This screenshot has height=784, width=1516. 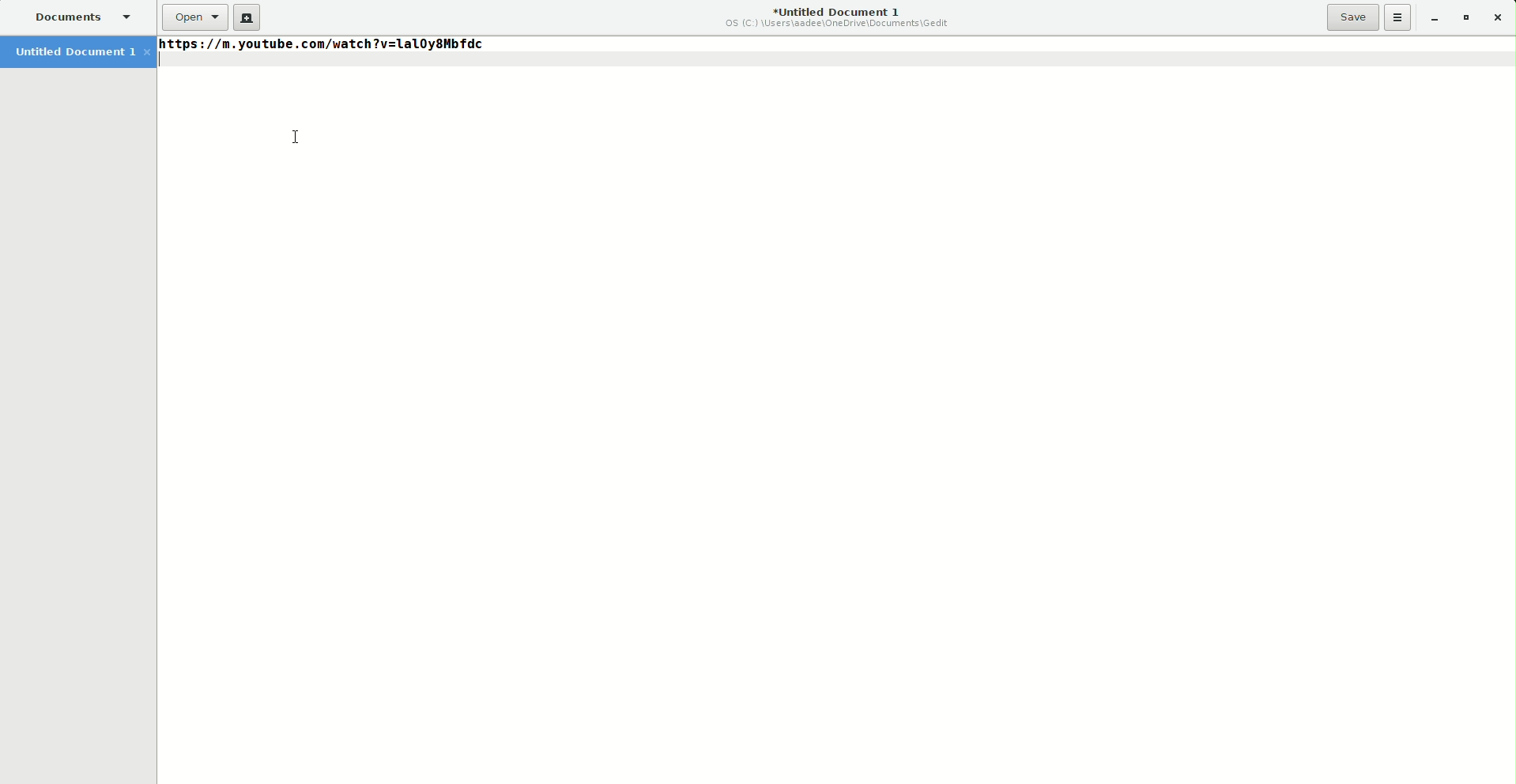 I want to click on New, so click(x=247, y=17).